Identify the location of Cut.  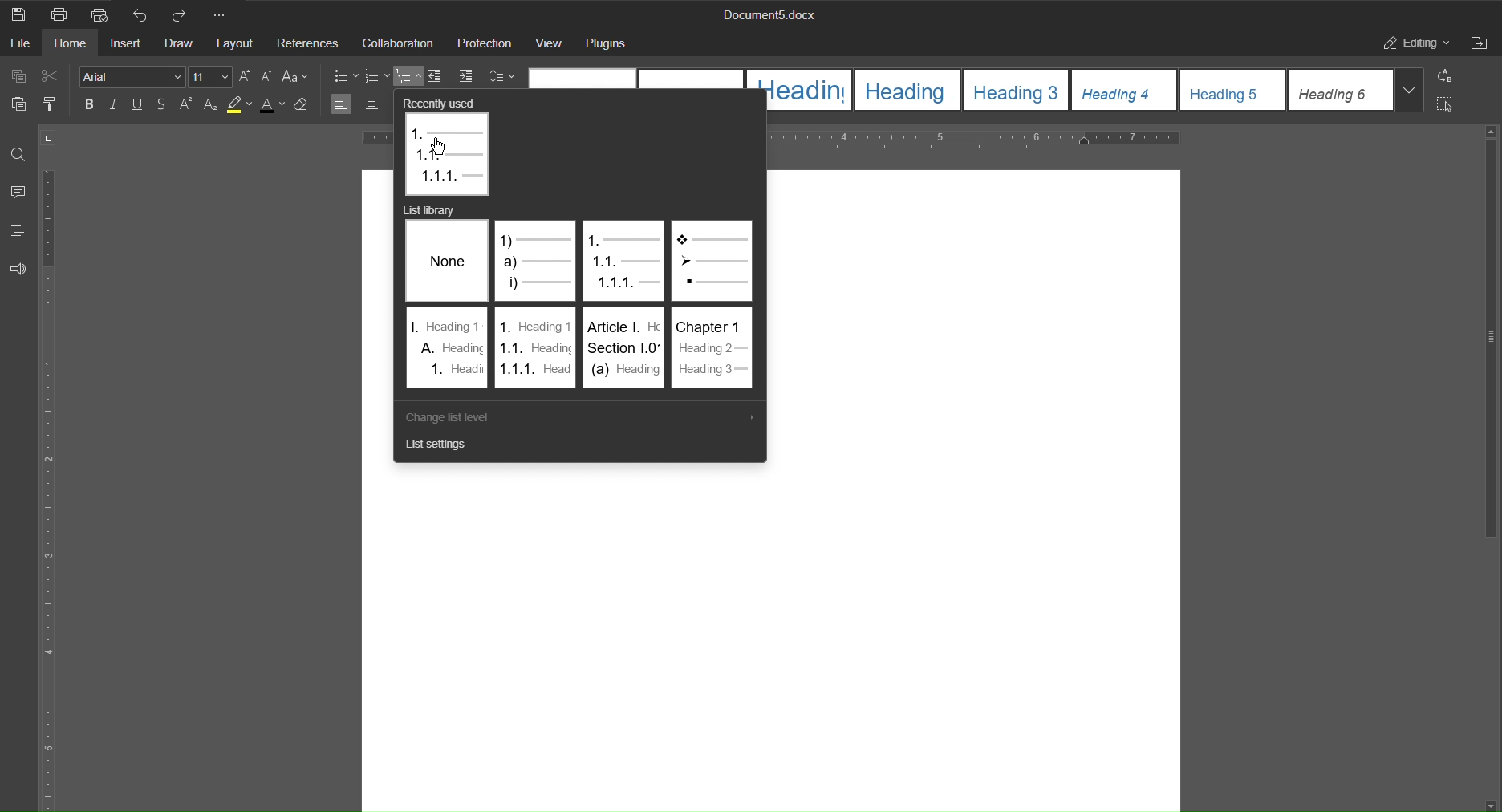
(54, 77).